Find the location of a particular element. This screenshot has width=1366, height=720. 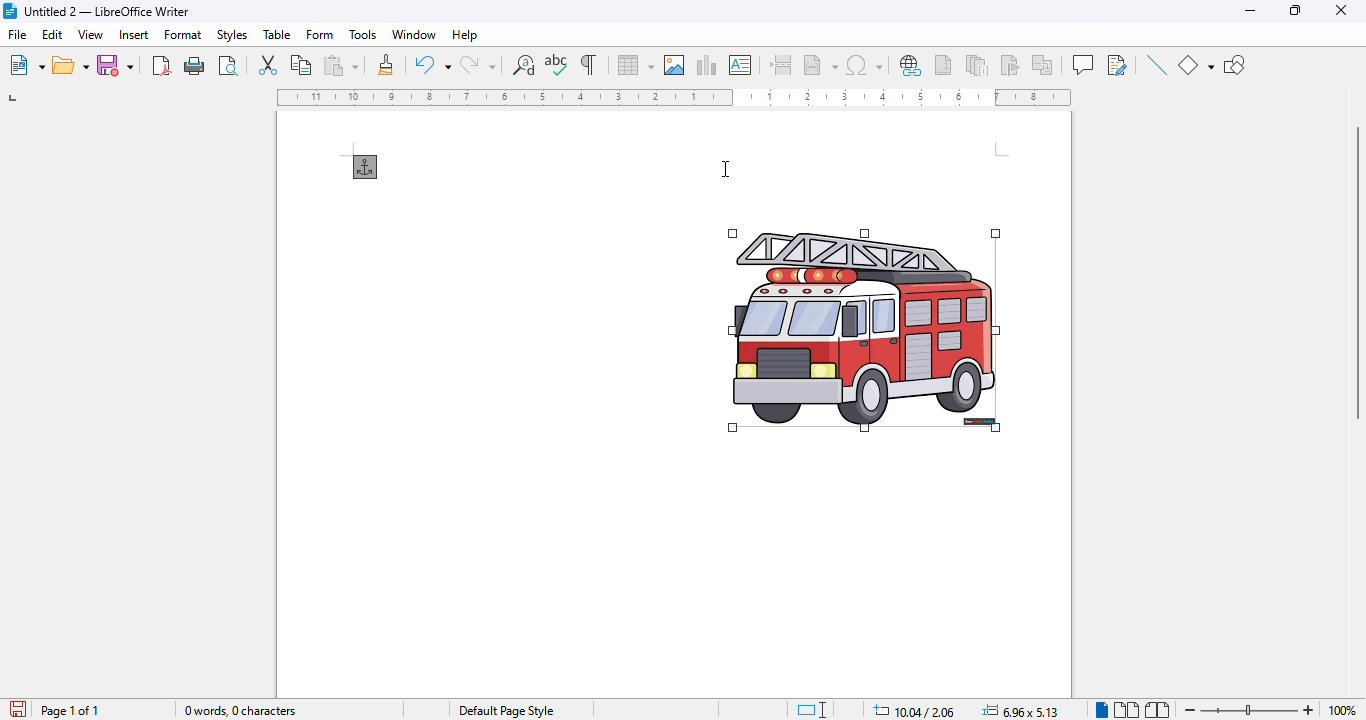

table is located at coordinates (277, 34).